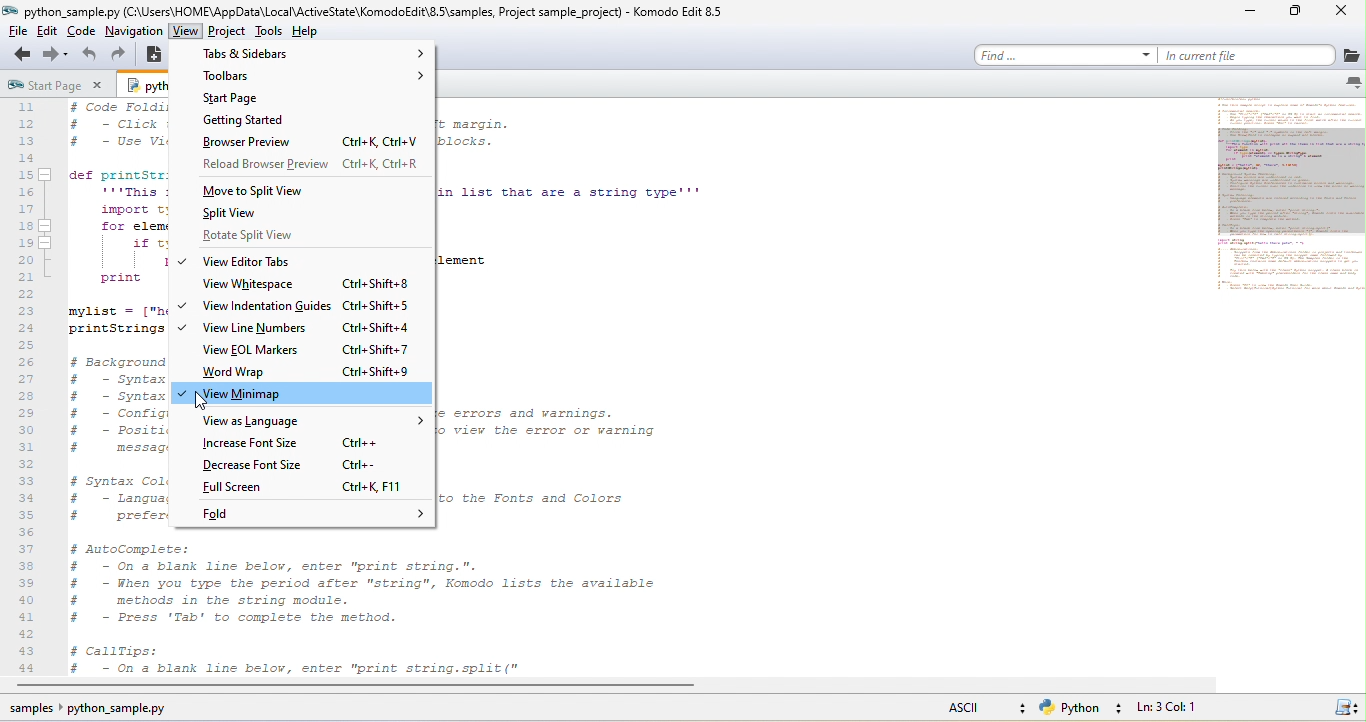  Describe the element at coordinates (60, 86) in the screenshot. I see `start page` at that location.